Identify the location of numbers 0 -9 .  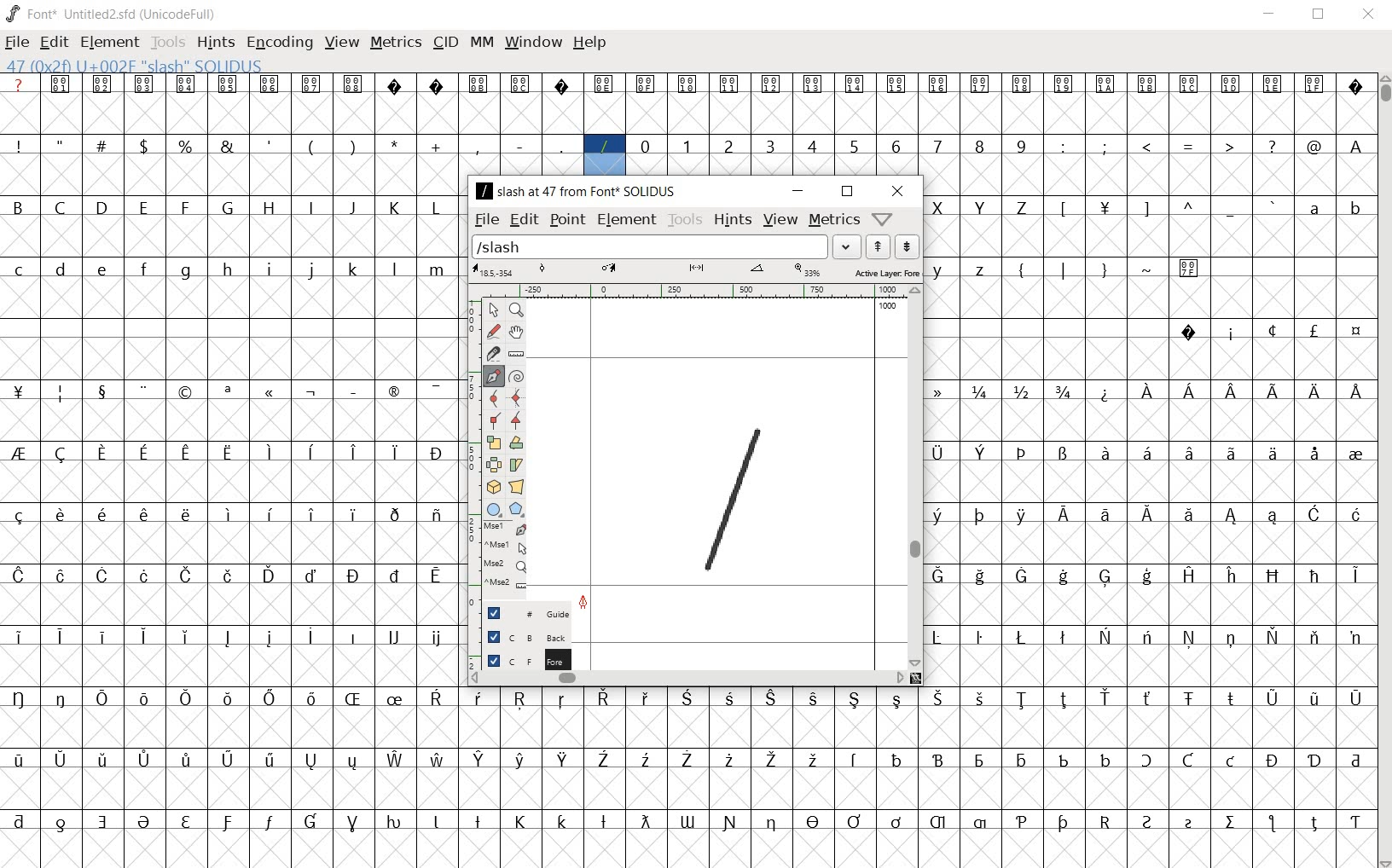
(838, 146).